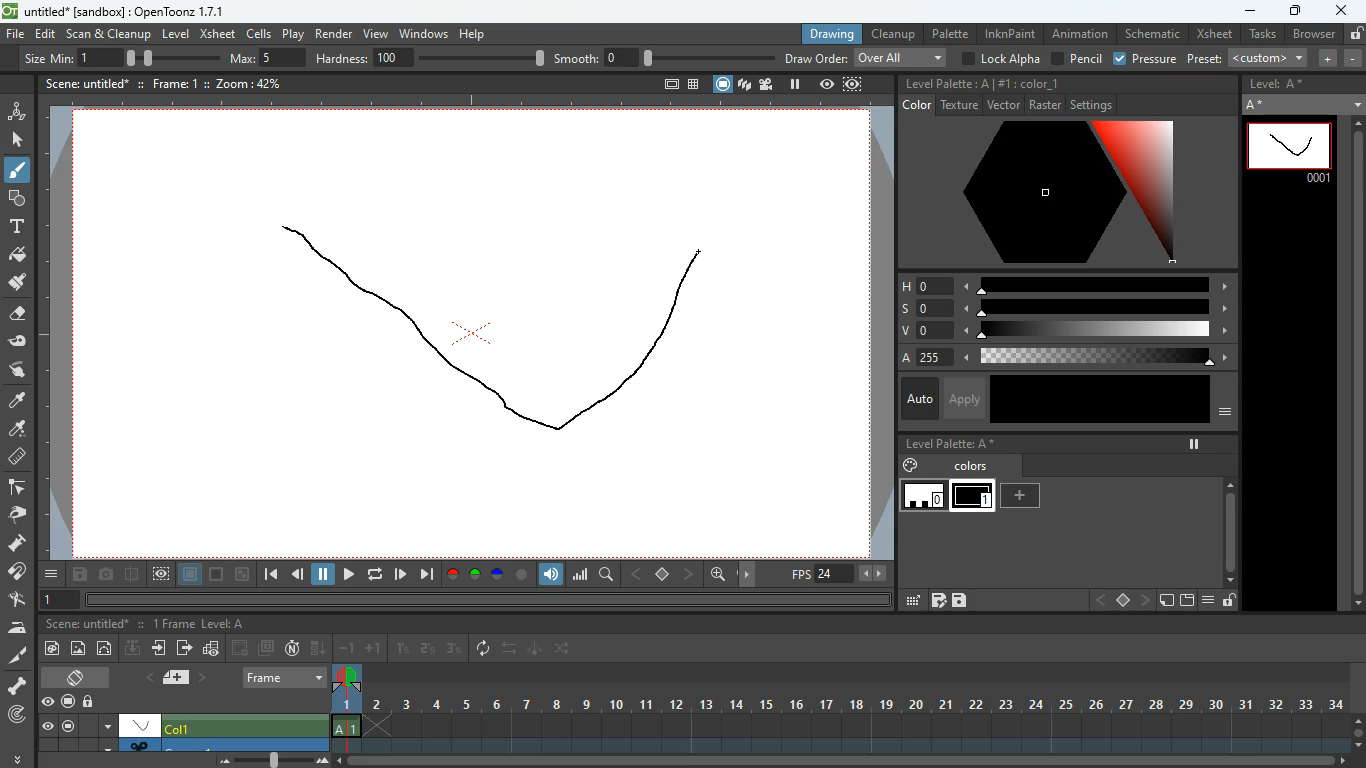 The height and width of the screenshot is (768, 1366). Describe the element at coordinates (552, 575) in the screenshot. I see `volume` at that location.